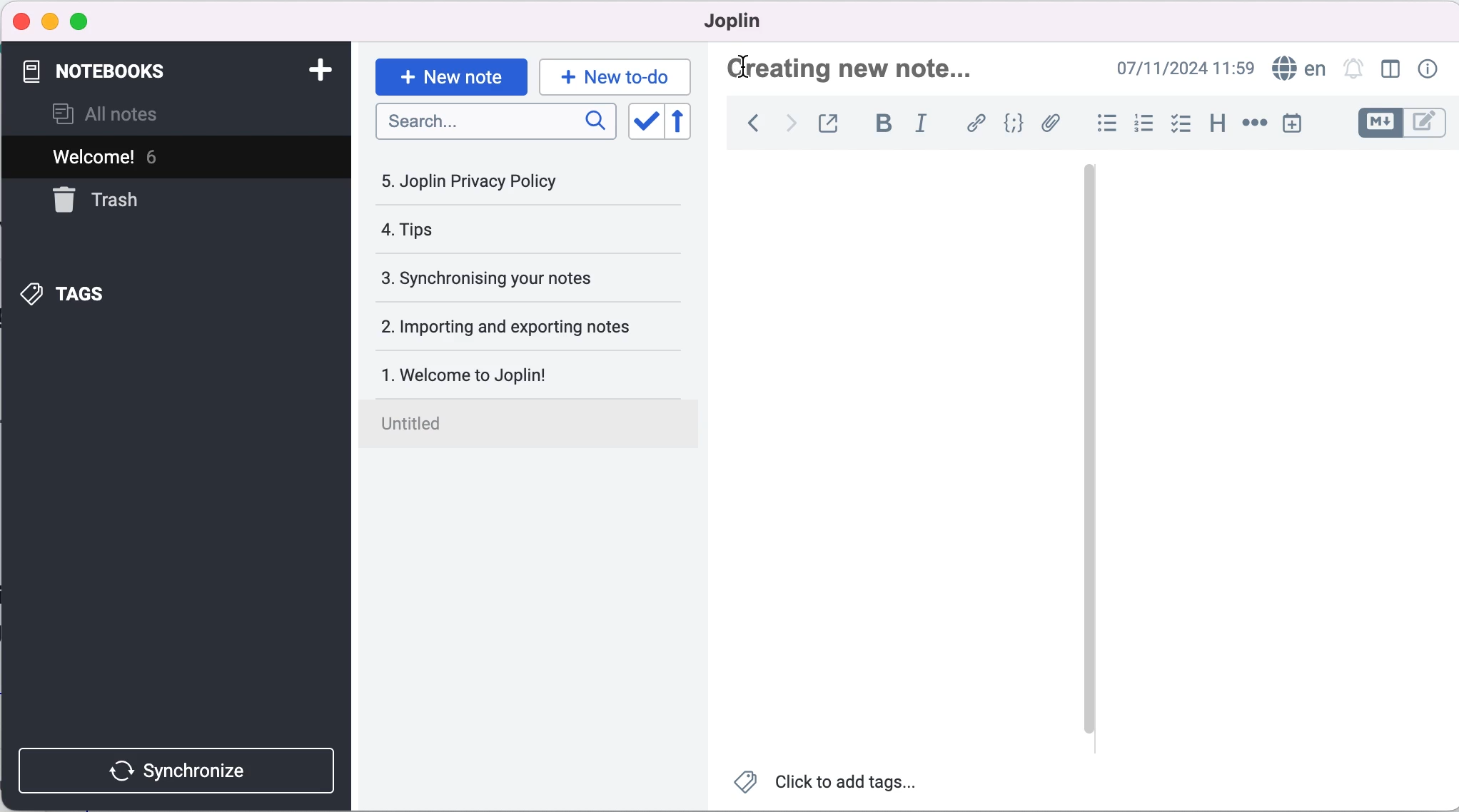 The height and width of the screenshot is (812, 1459). What do you see at coordinates (857, 68) in the screenshot?
I see `creating note` at bounding box center [857, 68].